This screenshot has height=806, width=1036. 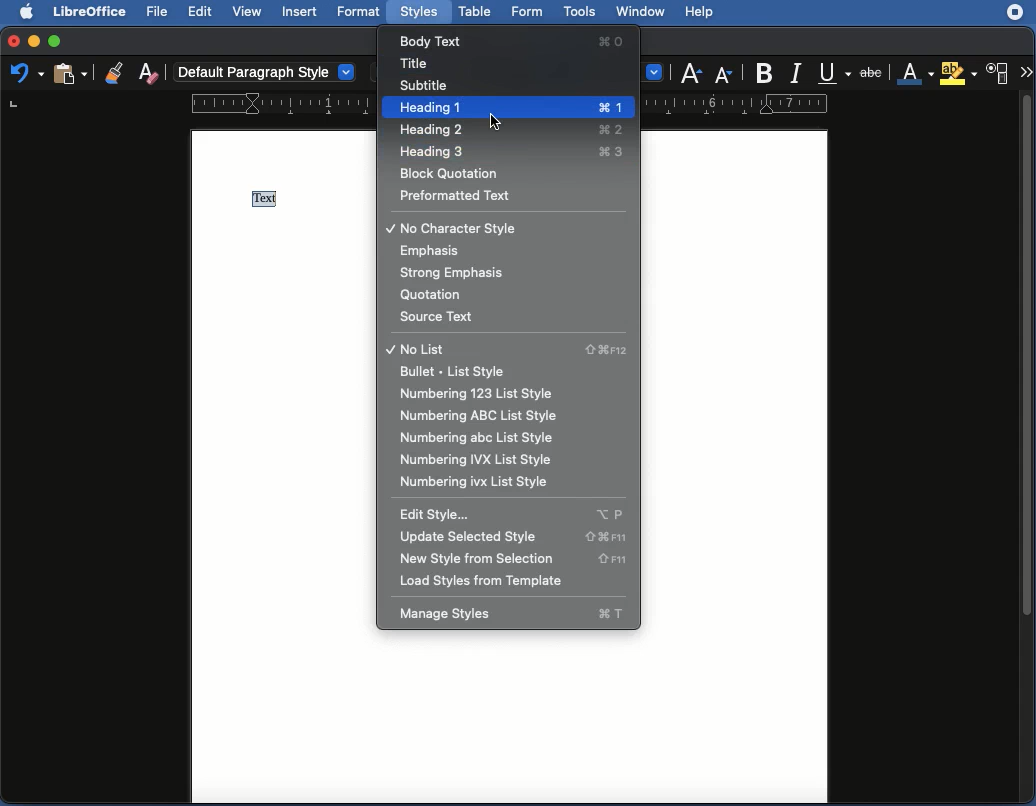 I want to click on Size decrease, so click(x=725, y=74).